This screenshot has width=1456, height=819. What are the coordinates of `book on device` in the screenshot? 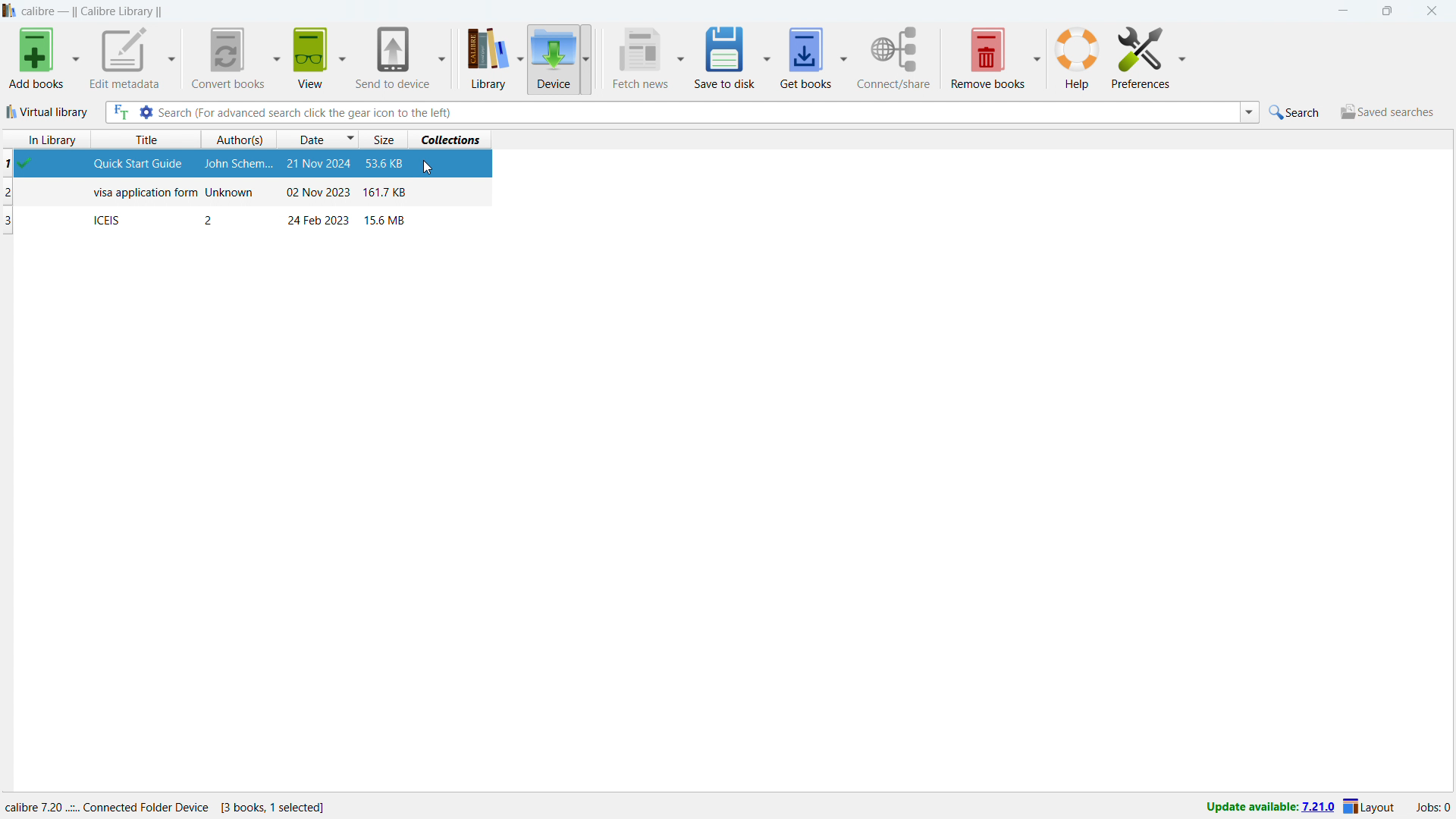 It's located at (249, 193).